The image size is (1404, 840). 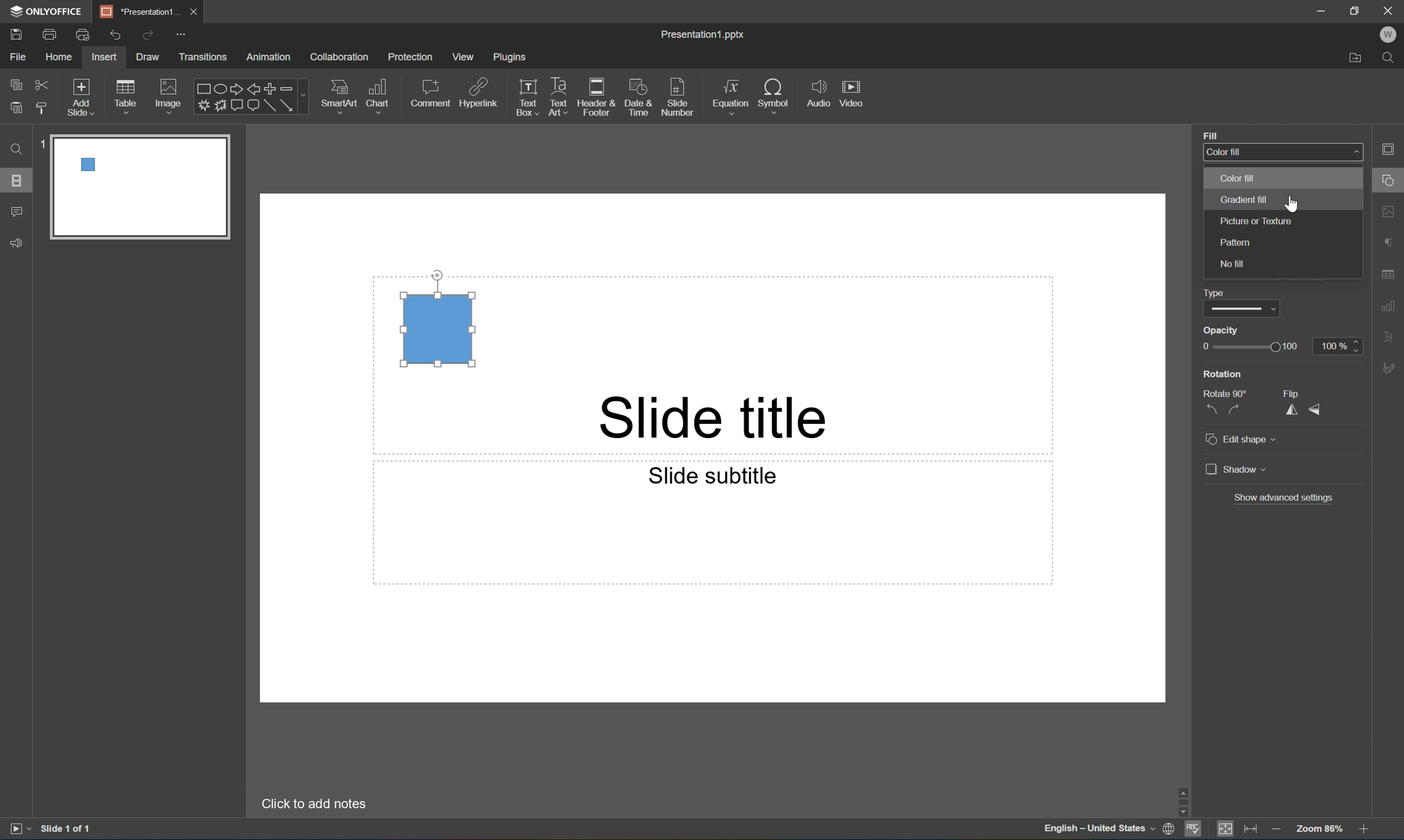 I want to click on SmartArt, so click(x=338, y=94).